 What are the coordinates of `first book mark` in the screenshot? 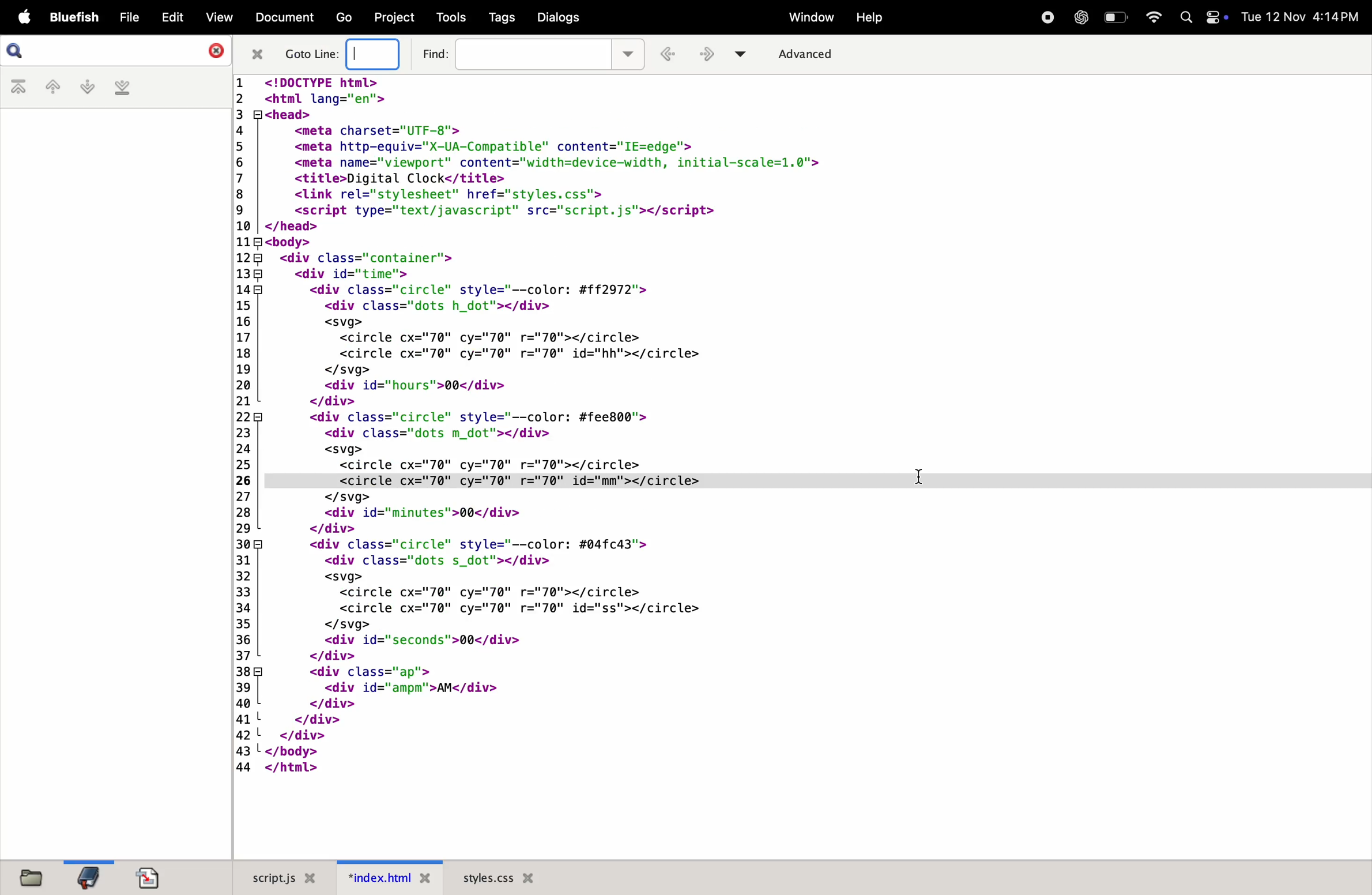 It's located at (19, 88).